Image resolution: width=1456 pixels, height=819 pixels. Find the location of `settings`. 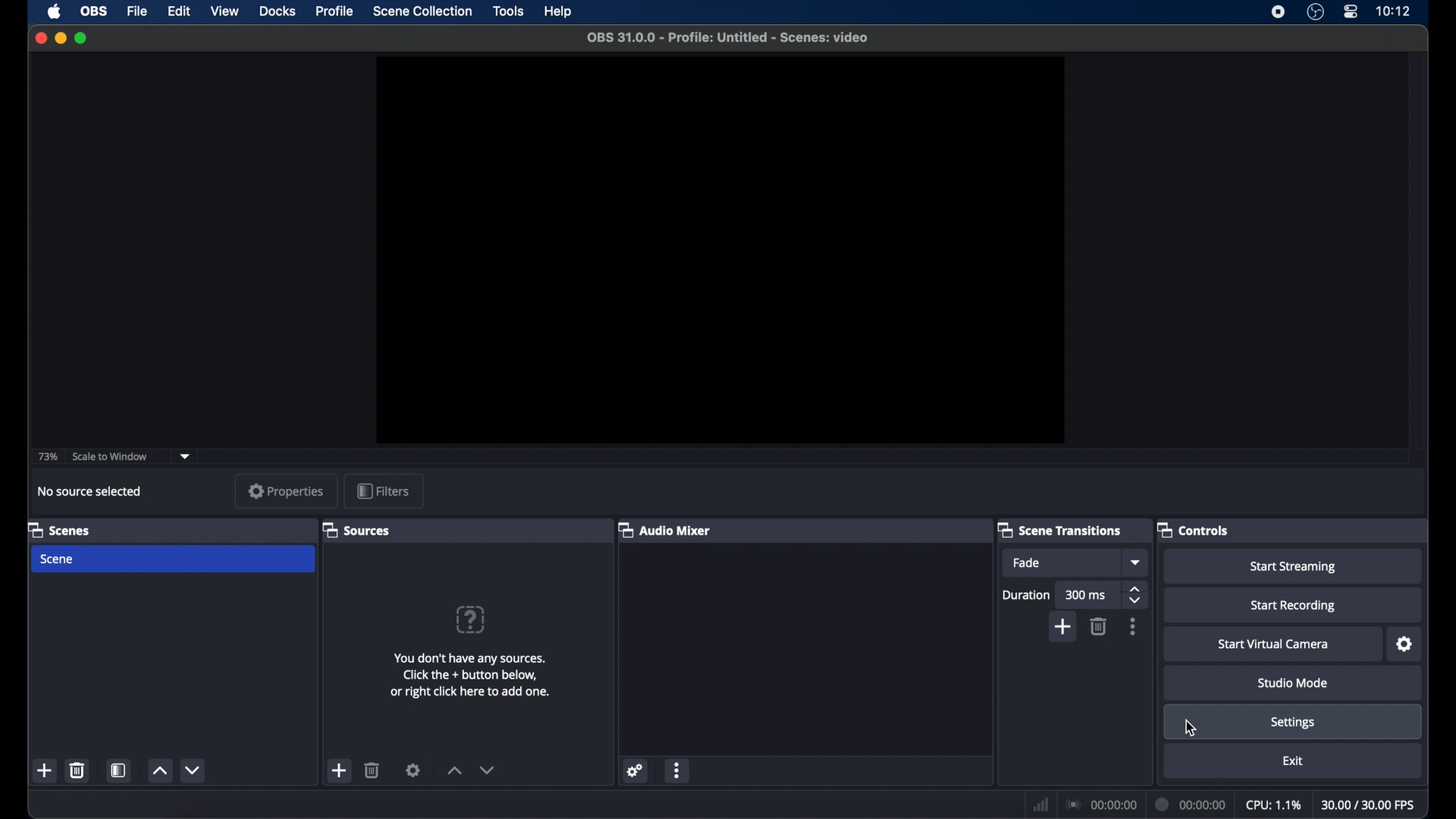

settings is located at coordinates (636, 771).